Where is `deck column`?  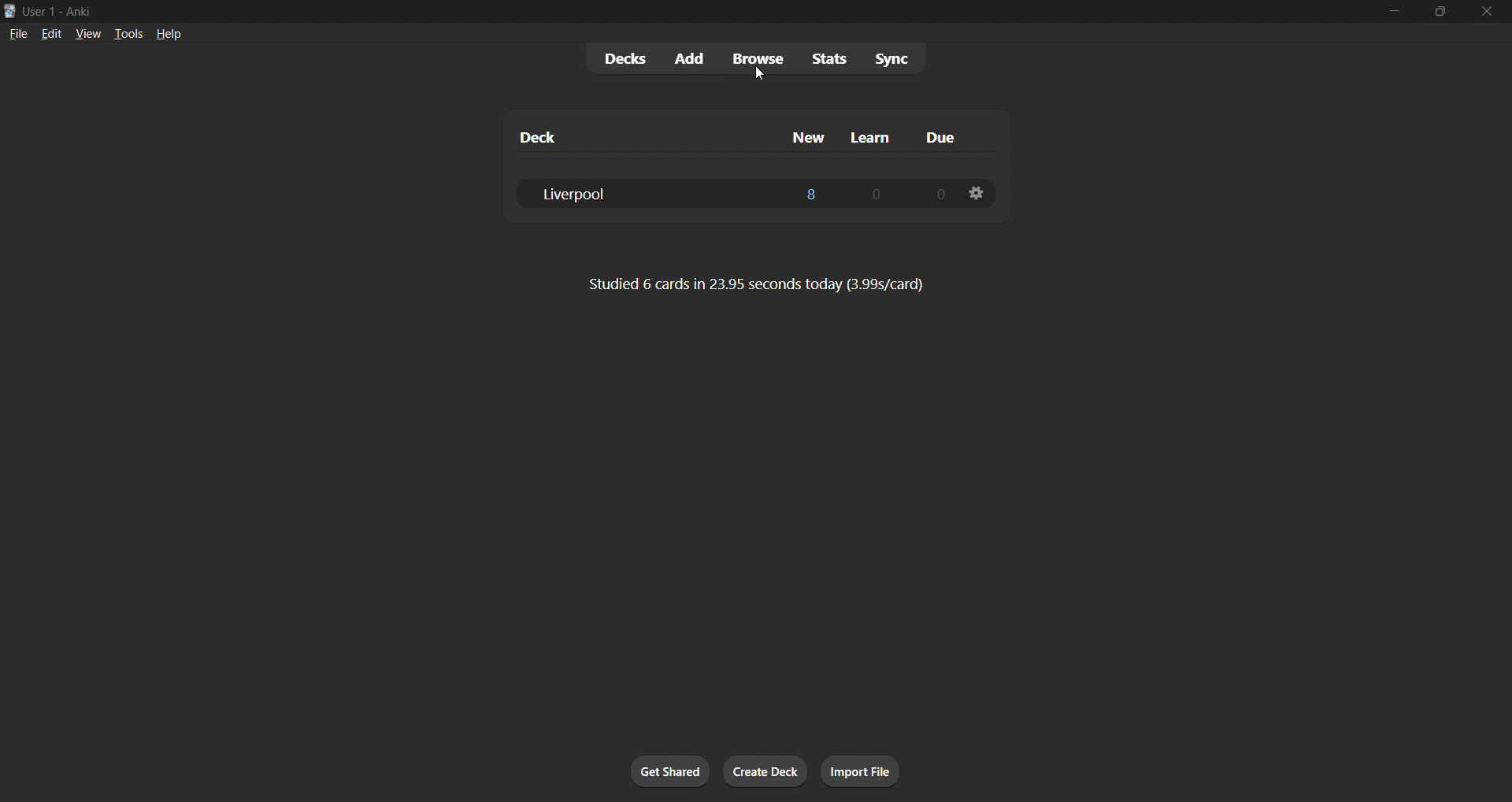
deck column is located at coordinates (632, 136).